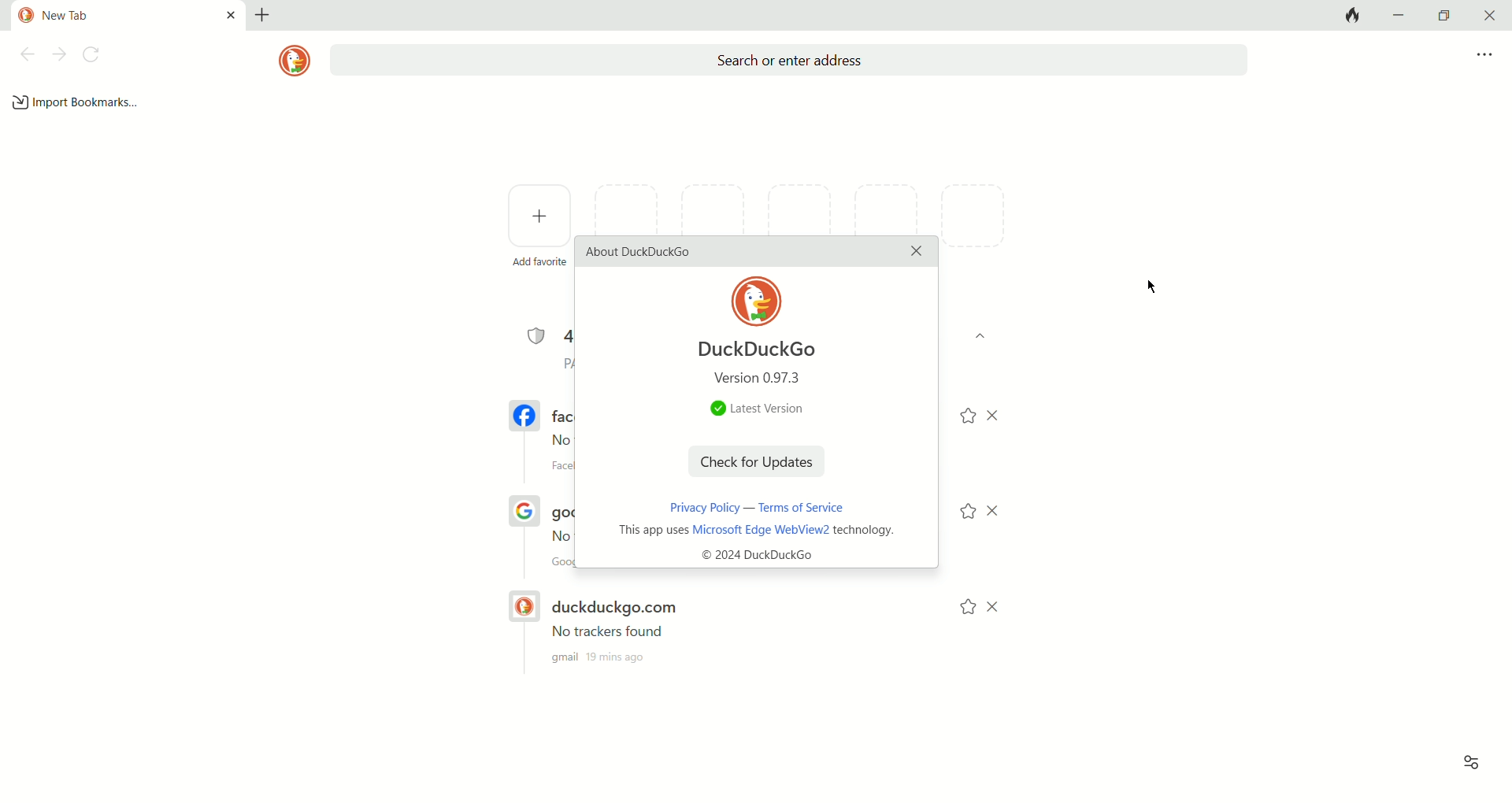 This screenshot has width=1512, height=803. What do you see at coordinates (59, 54) in the screenshot?
I see `next` at bounding box center [59, 54].